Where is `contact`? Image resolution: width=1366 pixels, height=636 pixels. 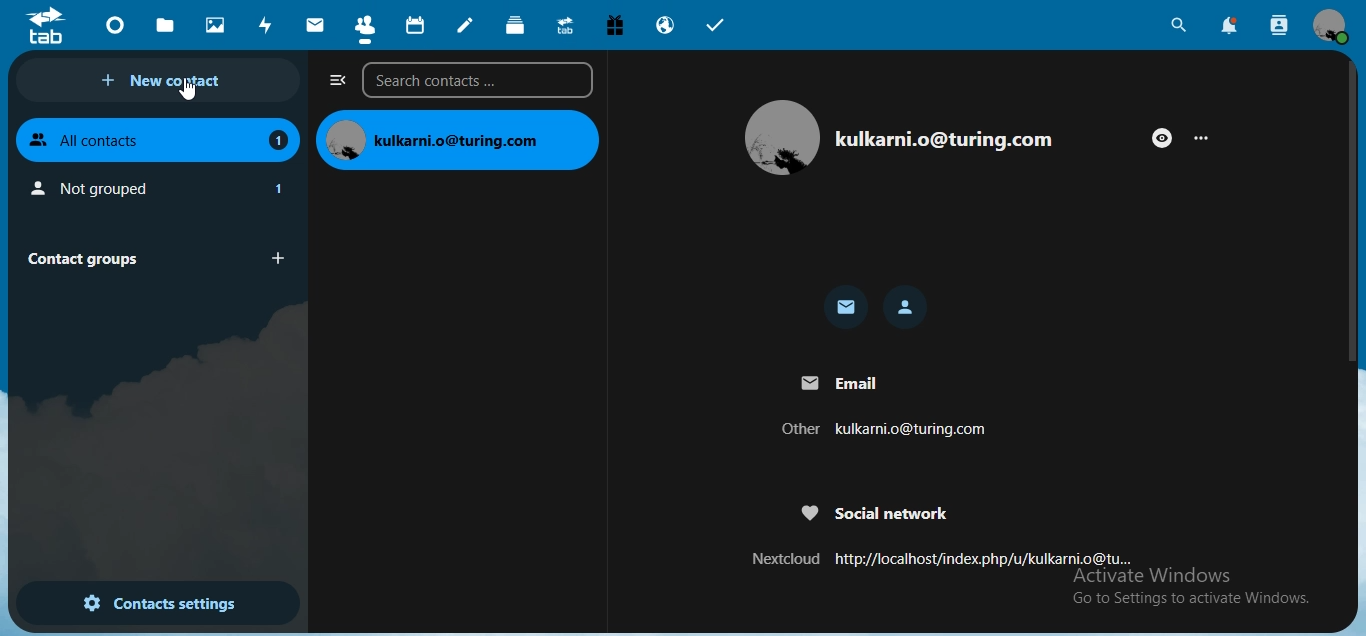 contact is located at coordinates (364, 24).